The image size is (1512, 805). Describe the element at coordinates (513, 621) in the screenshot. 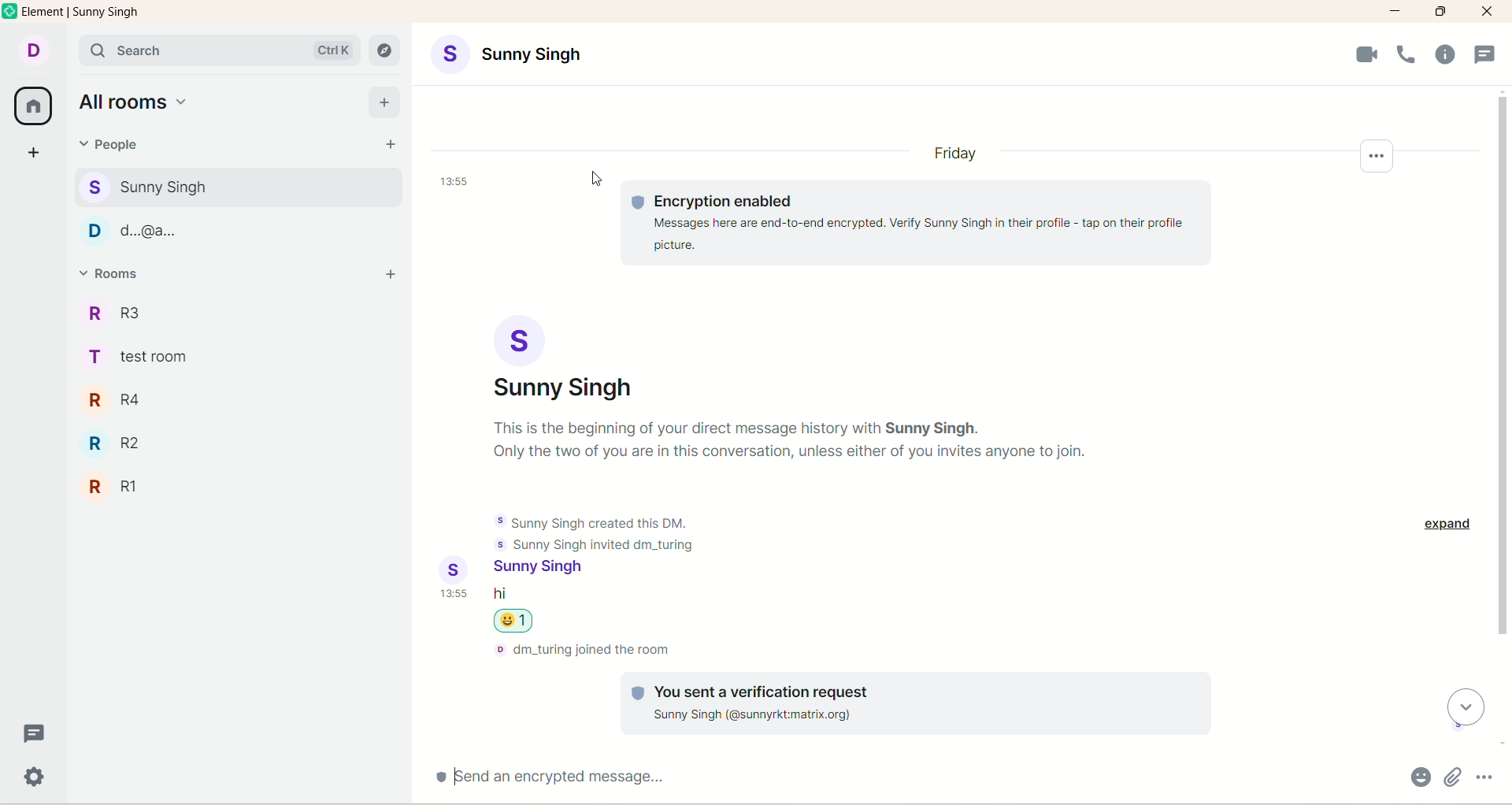

I see `Grinning face smiley added as reaction to text` at that location.